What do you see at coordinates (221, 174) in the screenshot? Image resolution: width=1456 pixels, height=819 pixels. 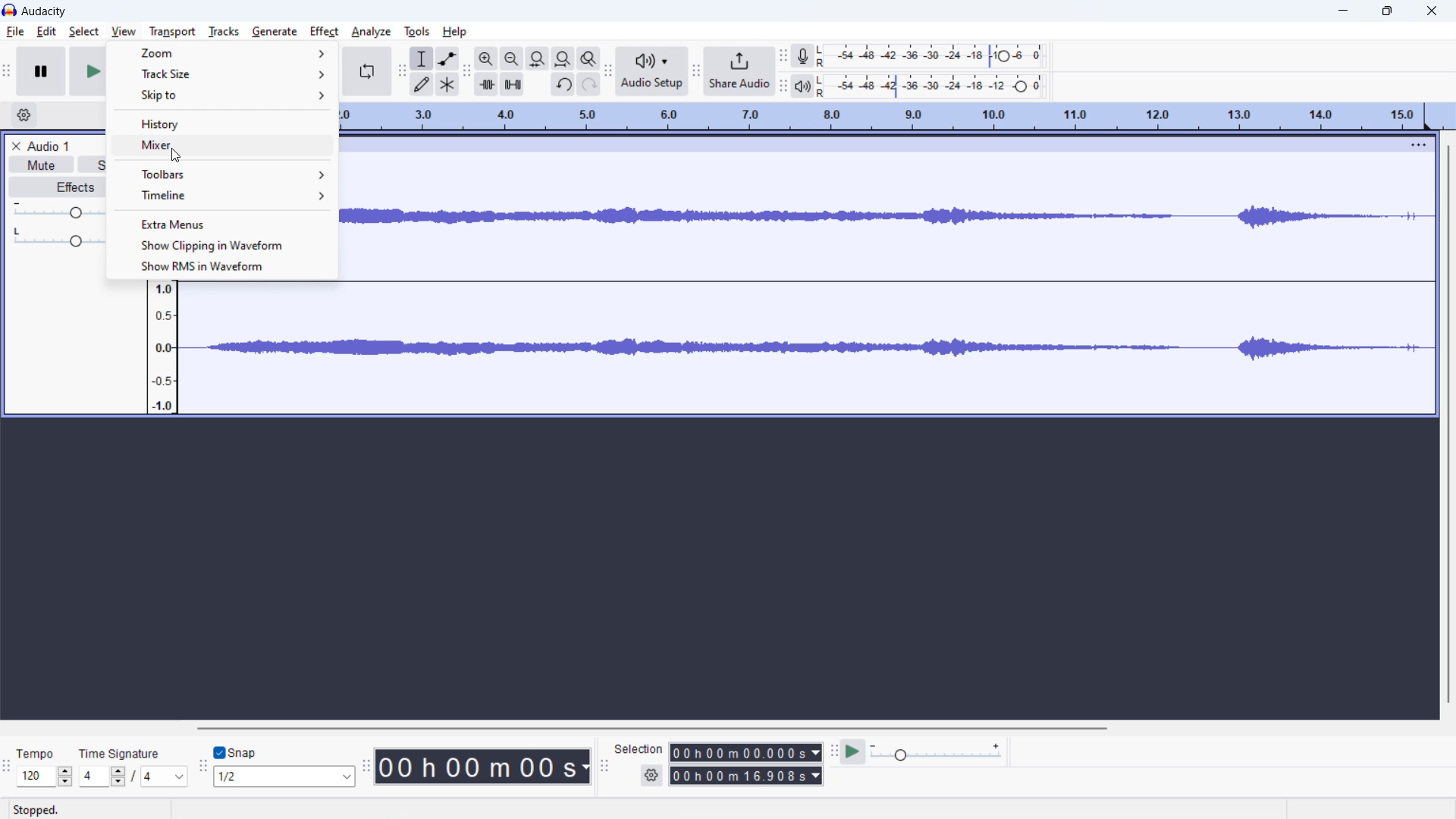 I see `toolbars` at bounding box center [221, 174].